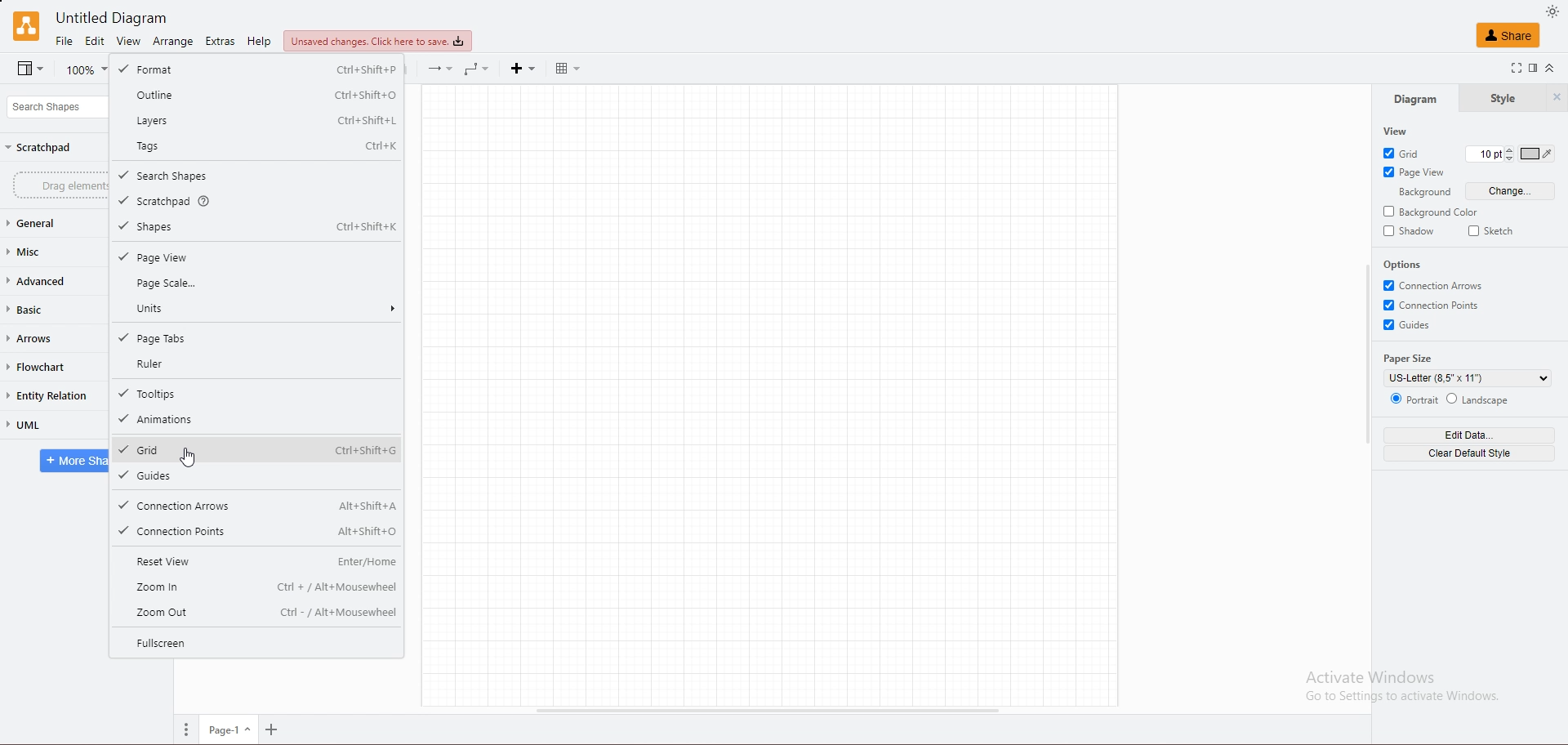 Image resolution: width=1568 pixels, height=745 pixels. What do you see at coordinates (1510, 148) in the screenshot?
I see `increase grid pt` at bounding box center [1510, 148].